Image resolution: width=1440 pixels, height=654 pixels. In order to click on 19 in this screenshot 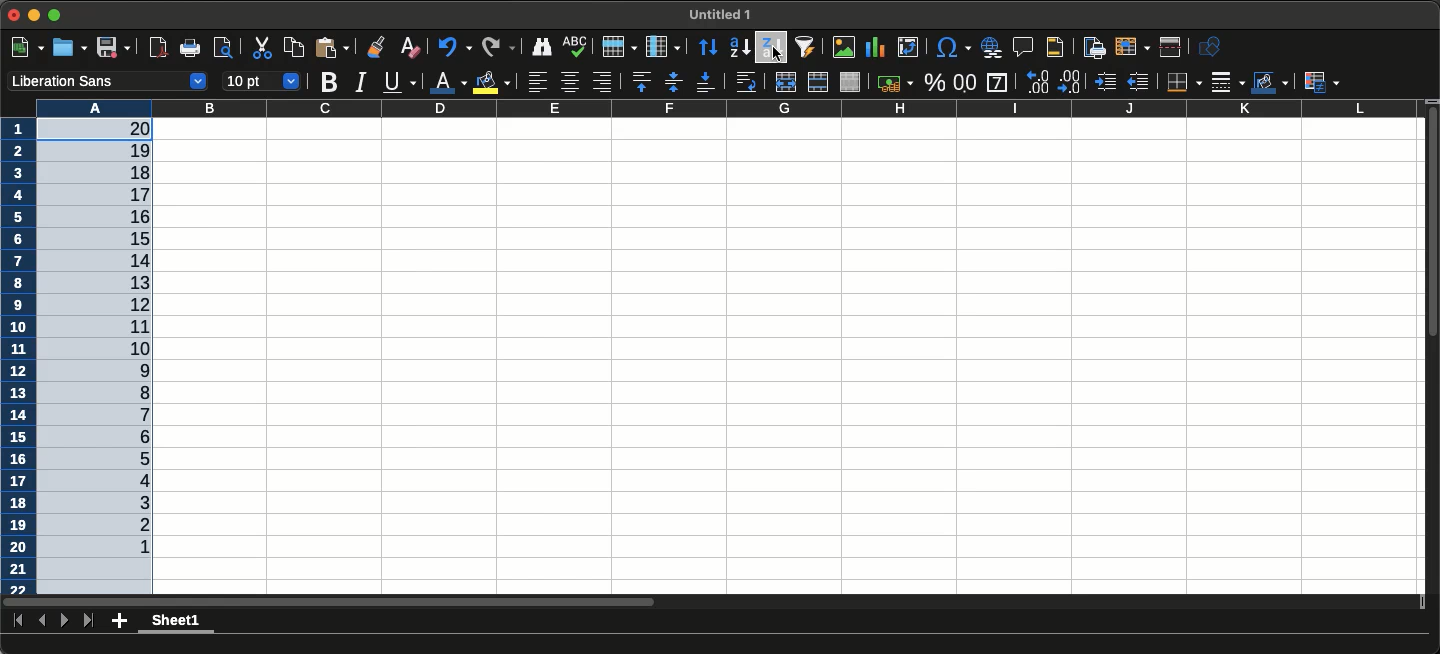, I will do `click(139, 523)`.